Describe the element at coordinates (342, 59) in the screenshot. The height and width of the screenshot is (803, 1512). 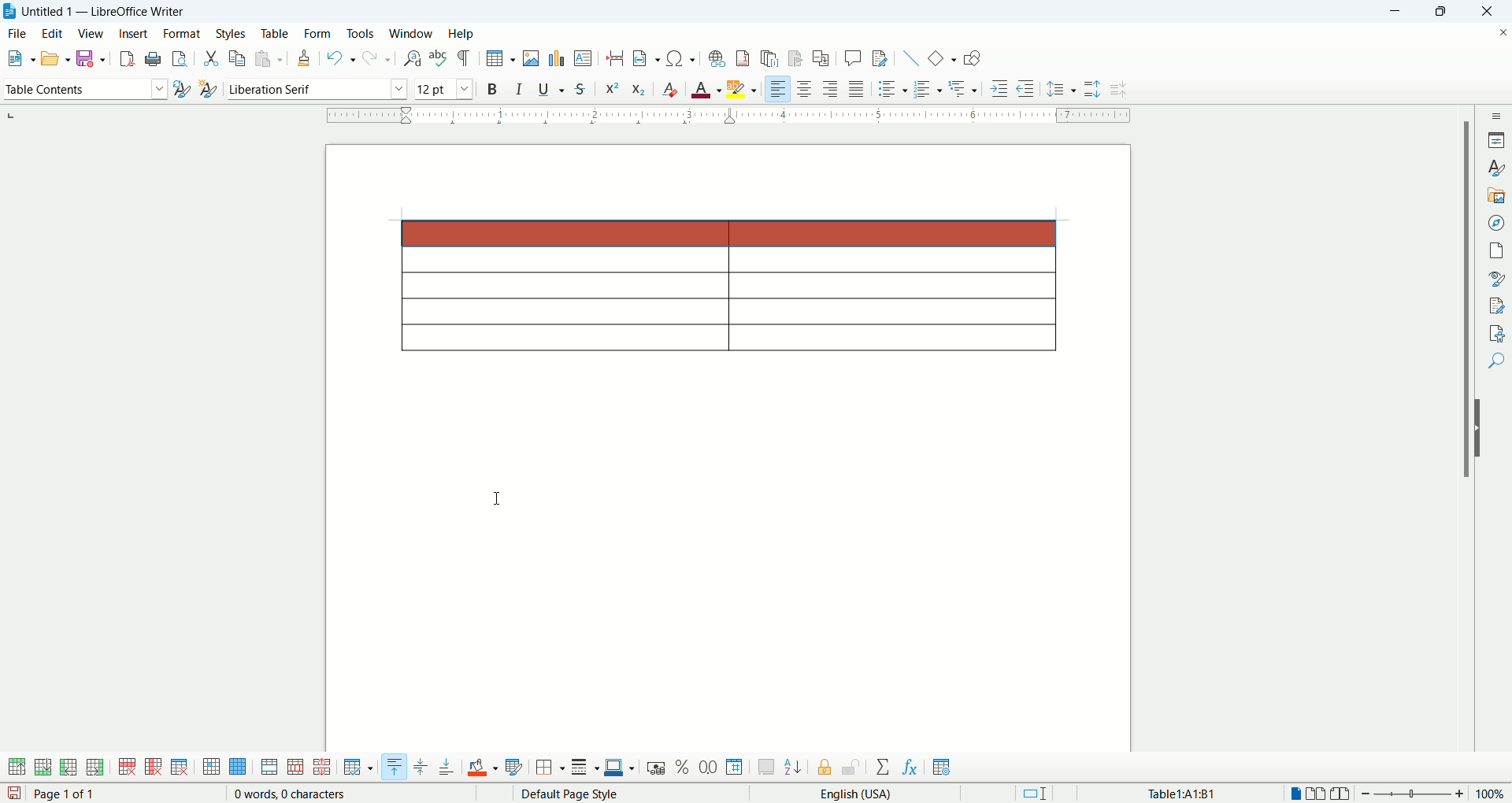
I see `undo` at that location.